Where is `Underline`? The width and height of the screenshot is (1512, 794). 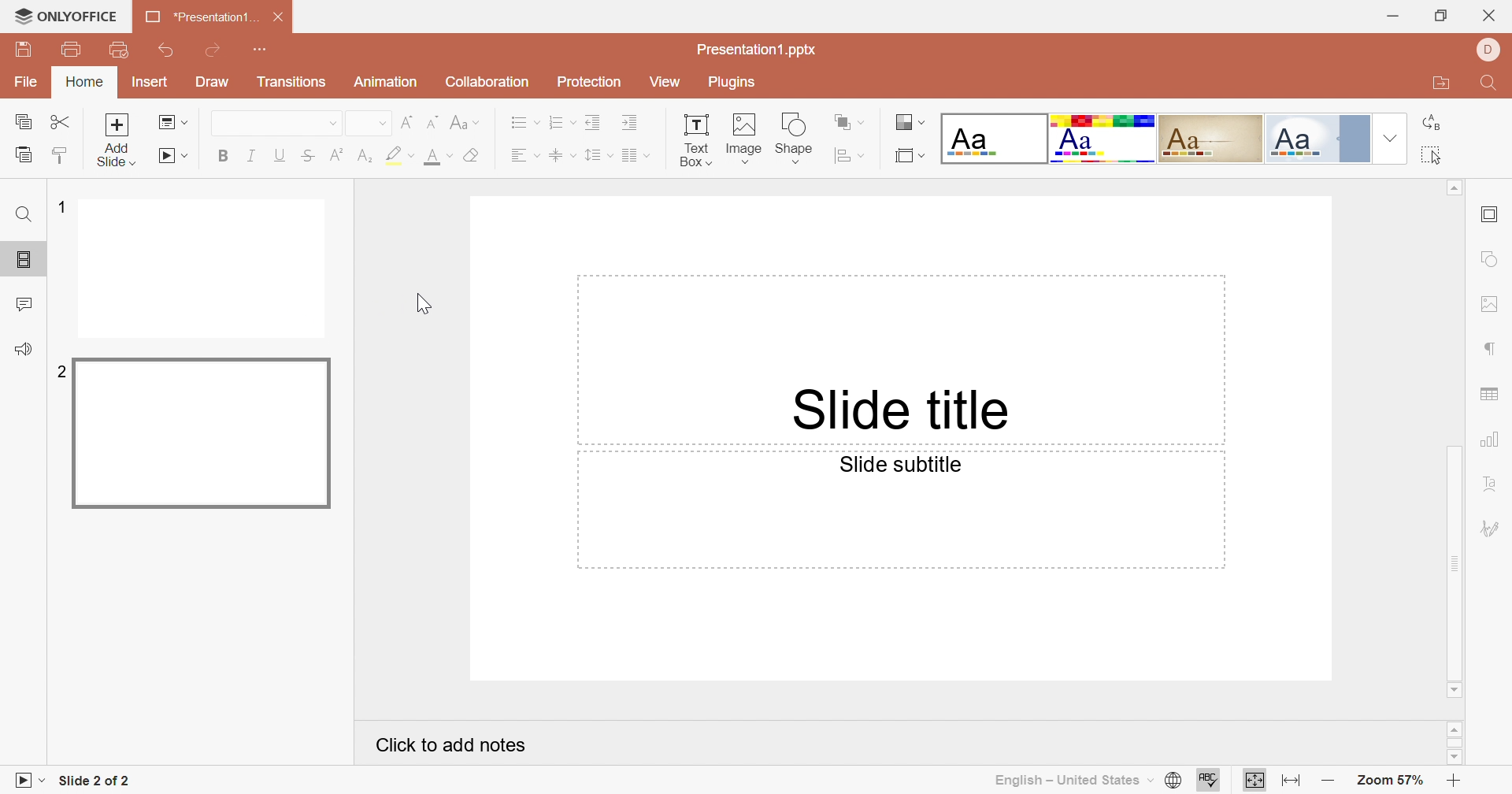
Underline is located at coordinates (281, 155).